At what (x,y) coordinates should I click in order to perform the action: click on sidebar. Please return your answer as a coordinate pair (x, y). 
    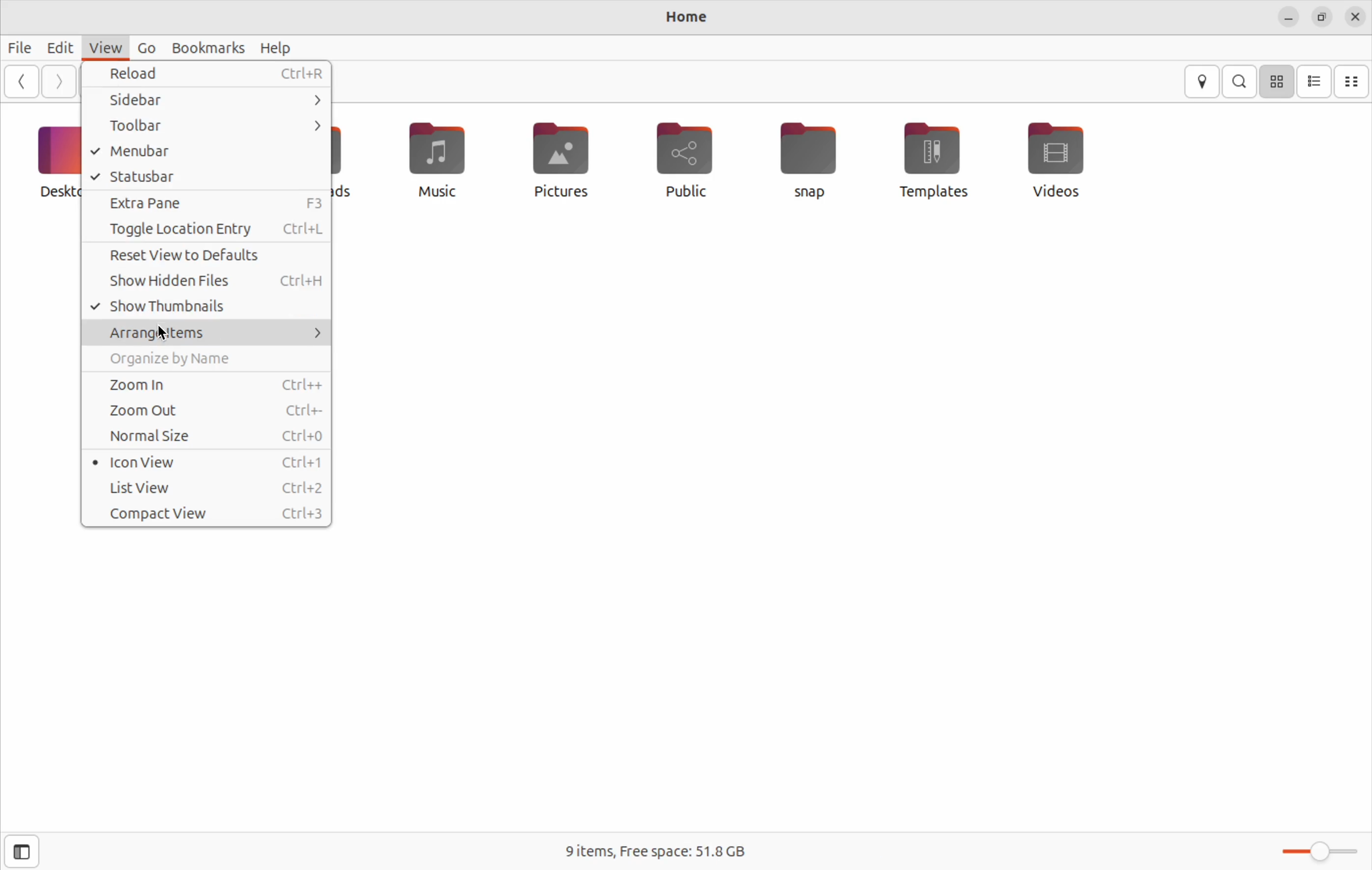
    Looking at the image, I should click on (210, 102).